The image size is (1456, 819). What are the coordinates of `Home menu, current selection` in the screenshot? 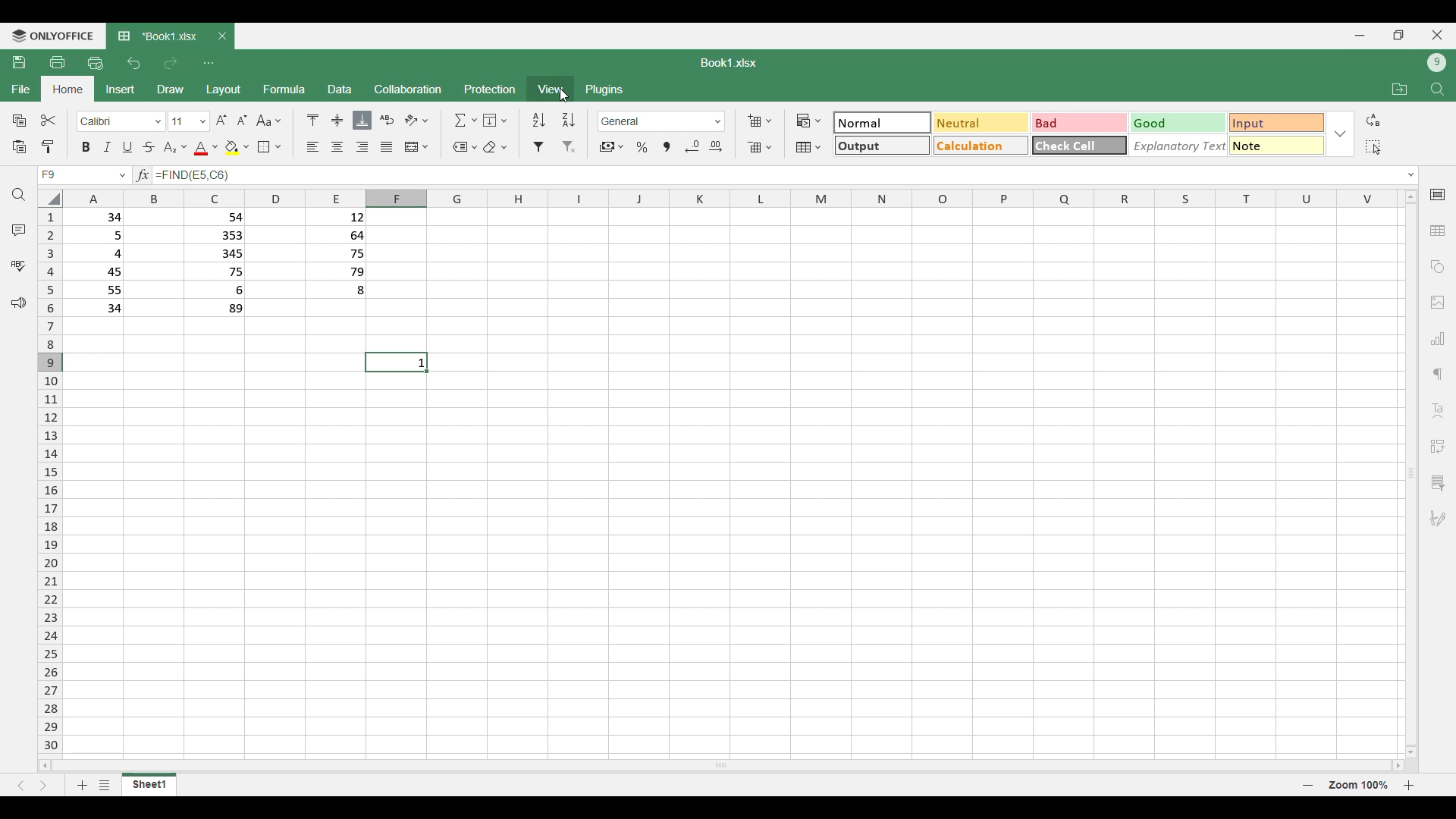 It's located at (67, 89).